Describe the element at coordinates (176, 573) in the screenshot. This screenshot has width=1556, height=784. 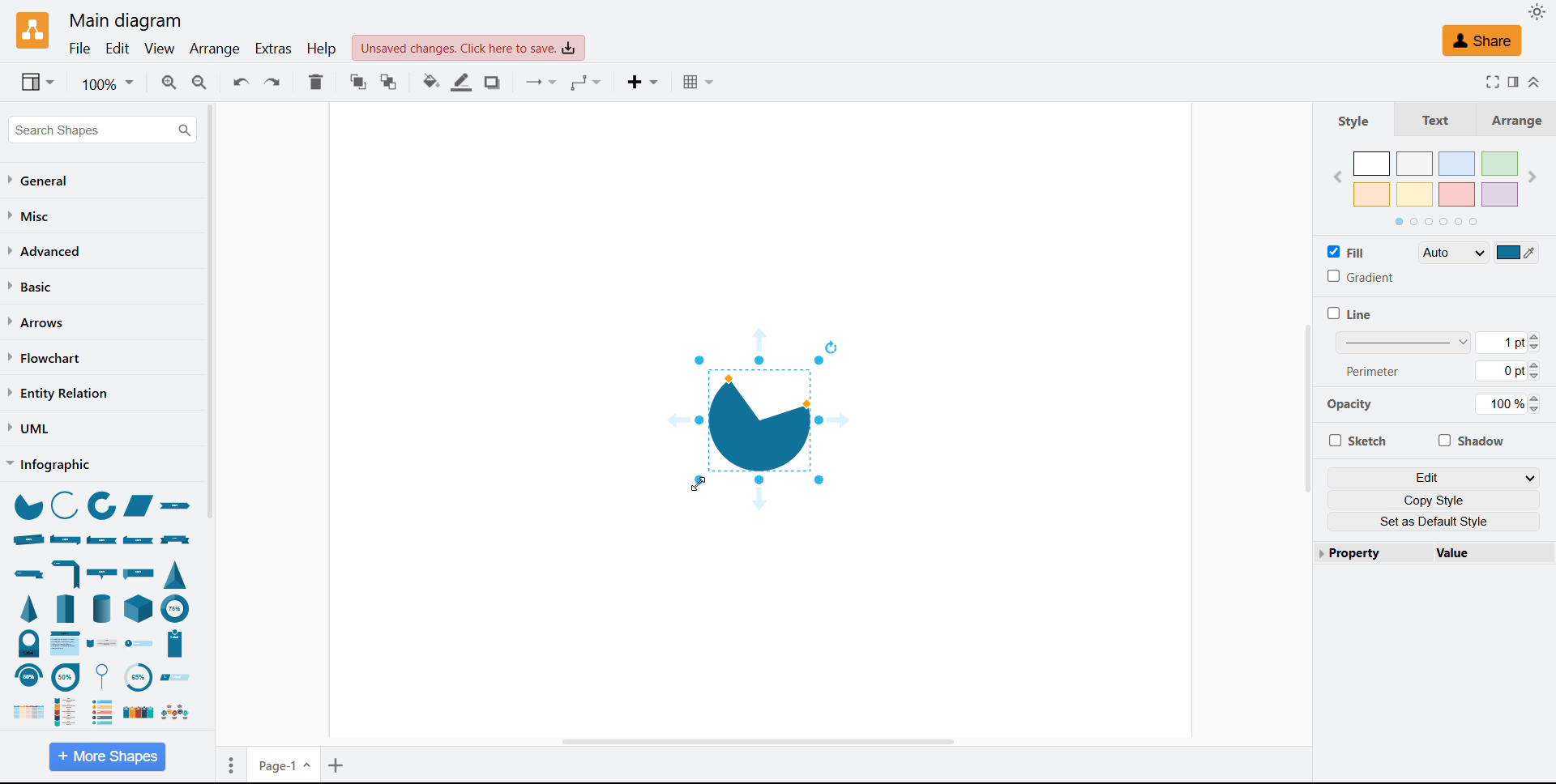
I see `triangle` at that location.